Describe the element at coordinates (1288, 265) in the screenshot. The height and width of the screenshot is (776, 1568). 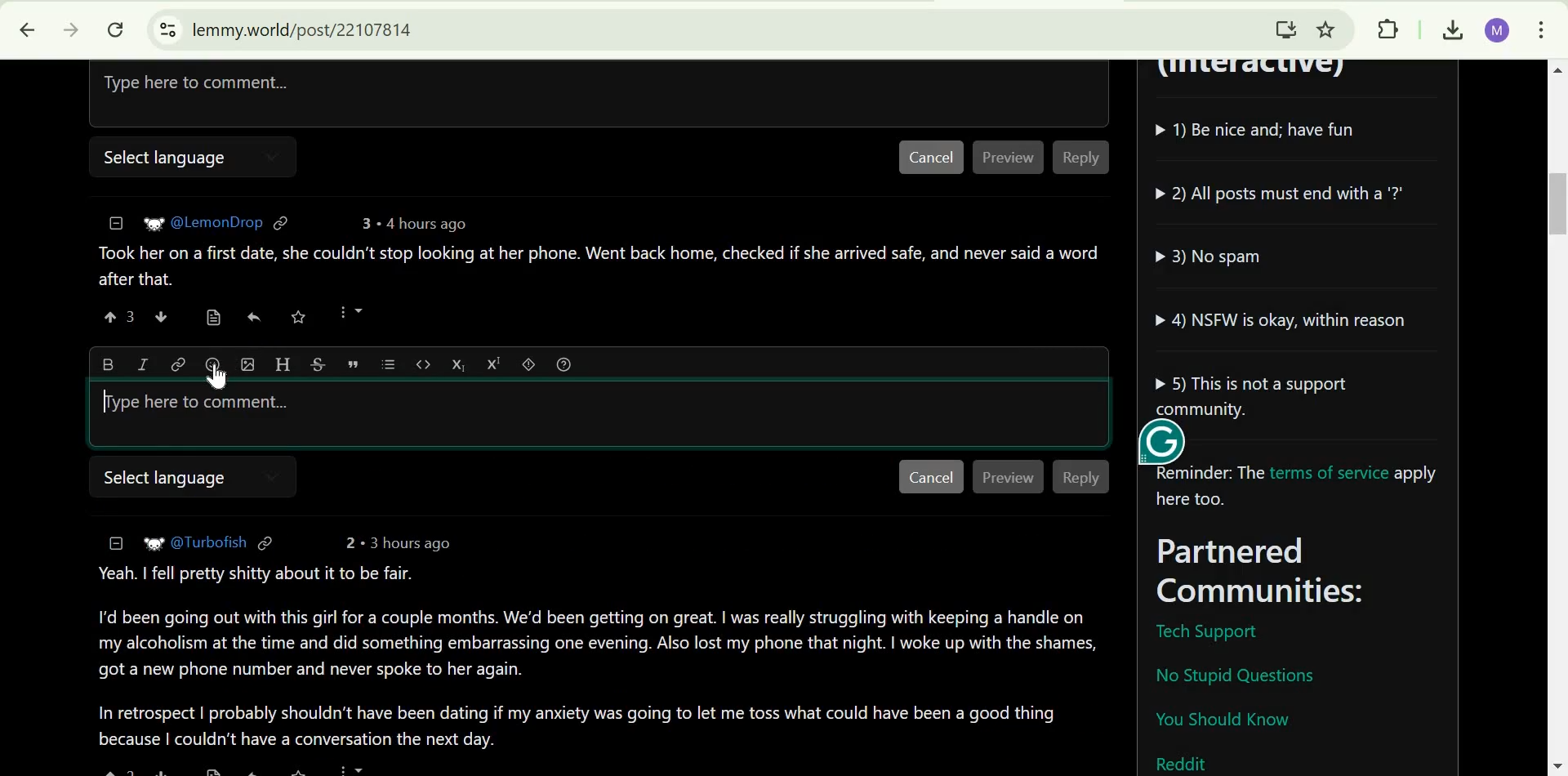
I see `community guidelines` at that location.